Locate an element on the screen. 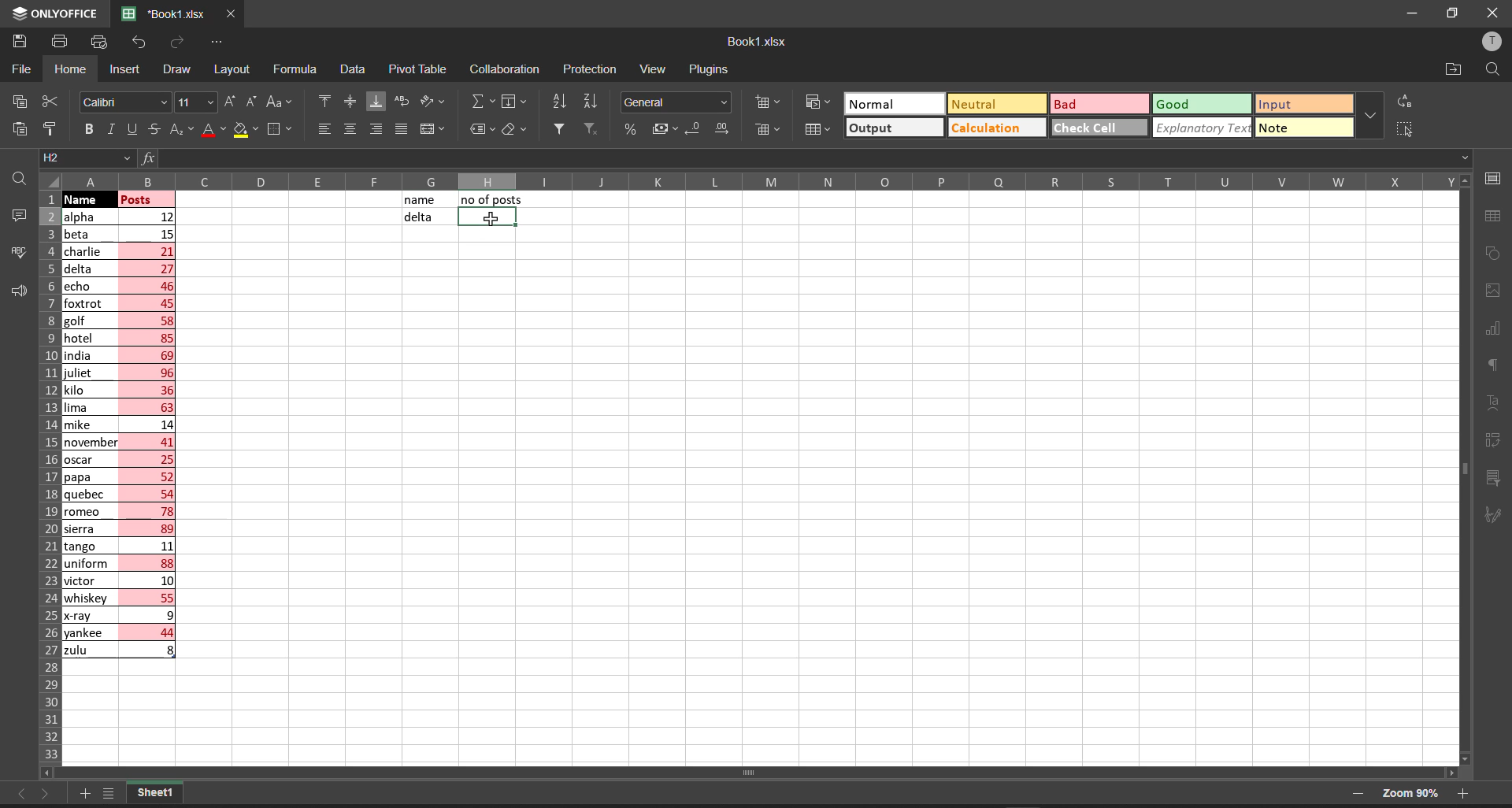 This screenshot has height=808, width=1512. find is located at coordinates (17, 176).